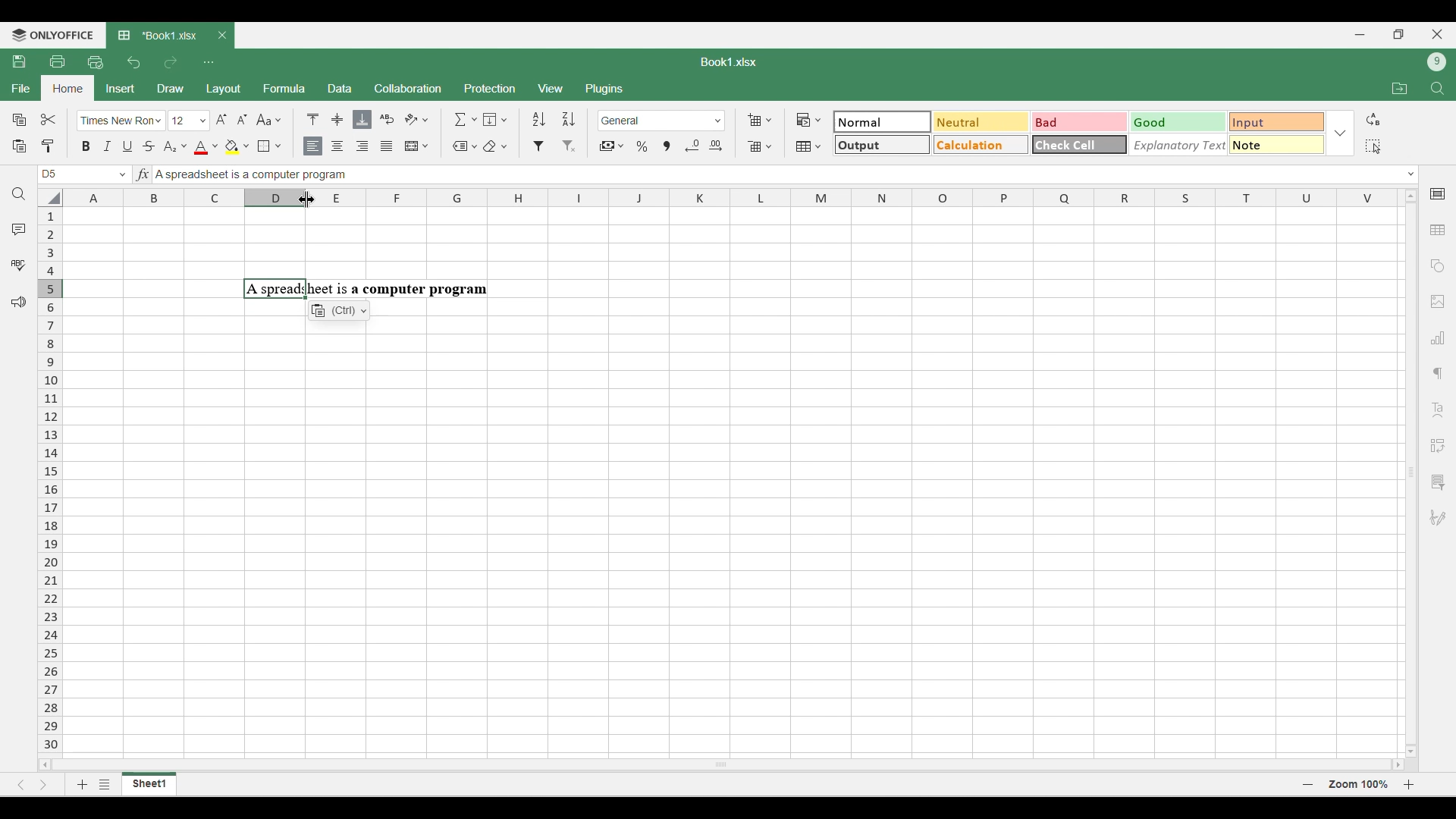  Describe the element at coordinates (222, 36) in the screenshot. I see `Close tab` at that location.